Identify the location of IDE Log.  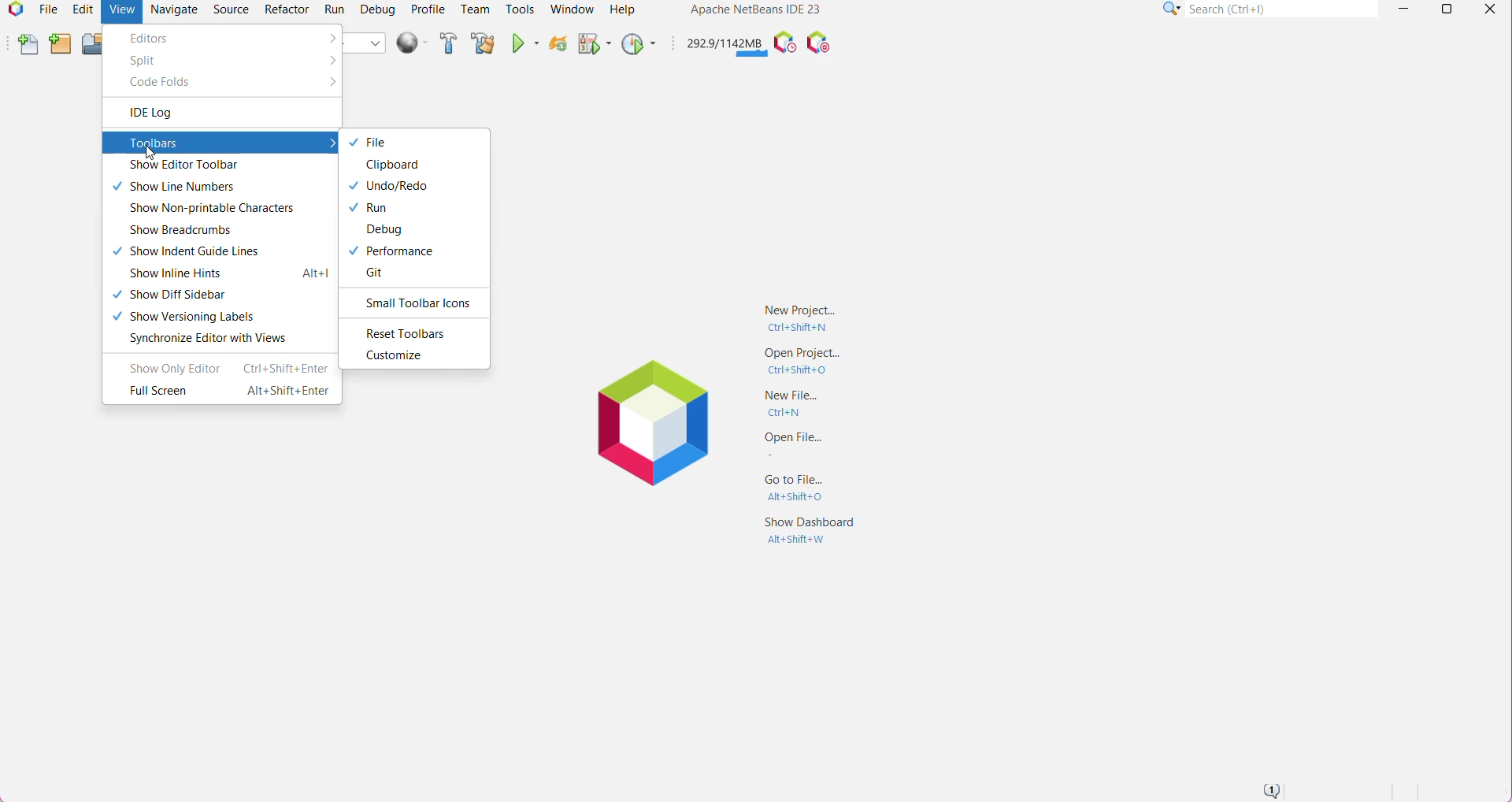
(172, 113).